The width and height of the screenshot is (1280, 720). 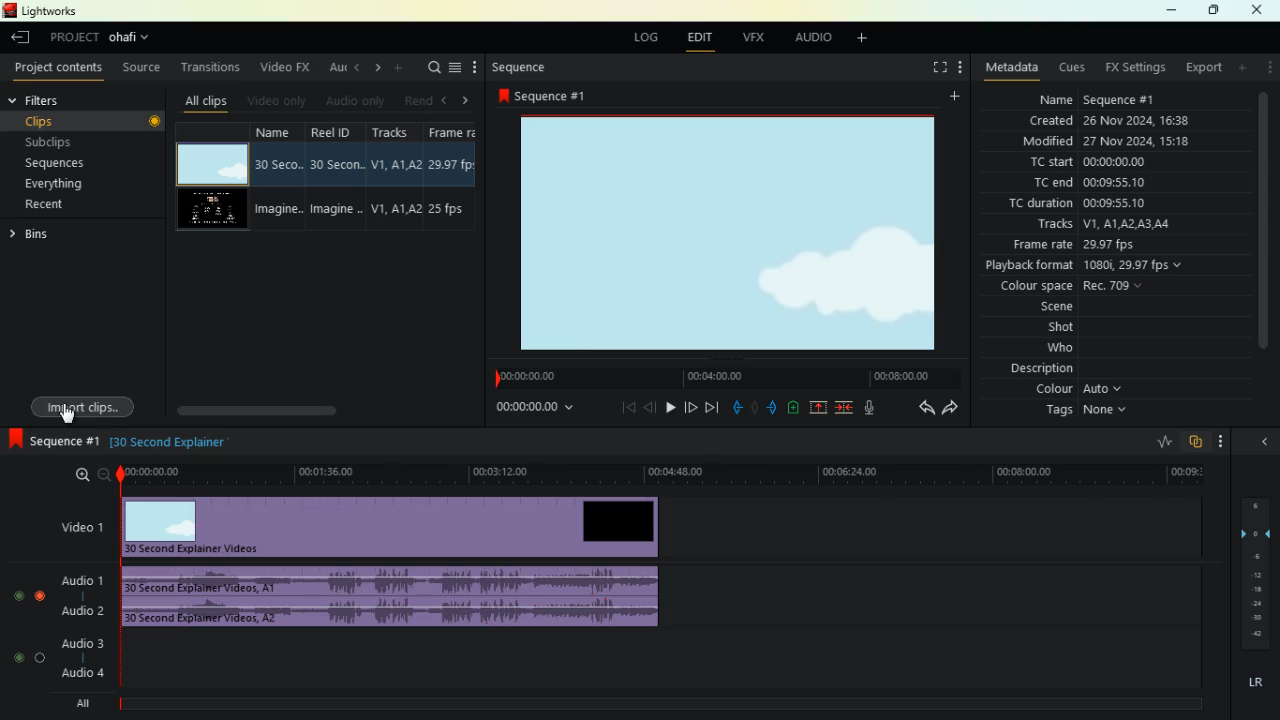 What do you see at coordinates (338, 69) in the screenshot?
I see `au` at bounding box center [338, 69].